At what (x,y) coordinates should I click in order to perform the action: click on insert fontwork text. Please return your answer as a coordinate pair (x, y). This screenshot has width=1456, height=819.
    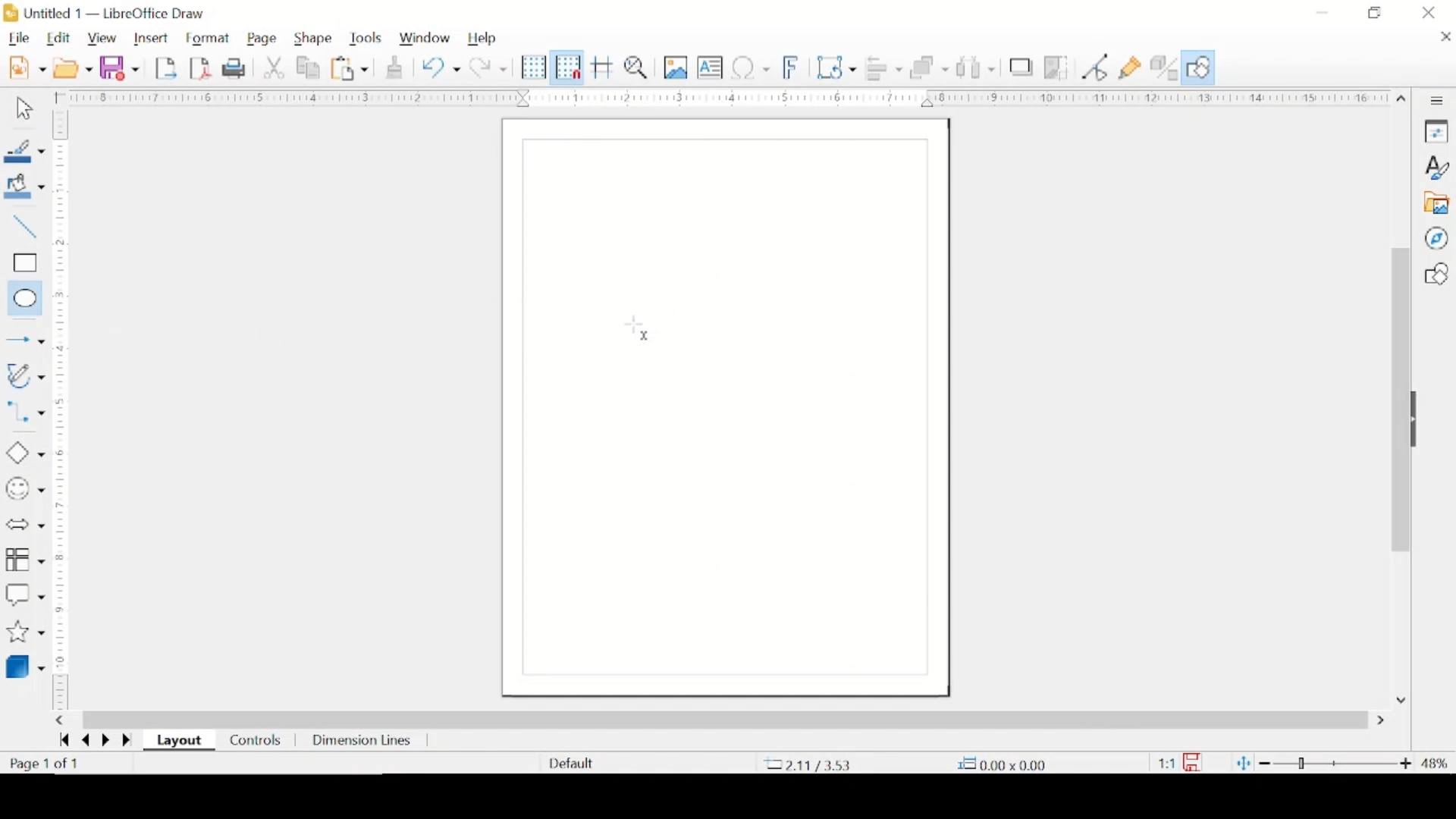
    Looking at the image, I should click on (792, 67).